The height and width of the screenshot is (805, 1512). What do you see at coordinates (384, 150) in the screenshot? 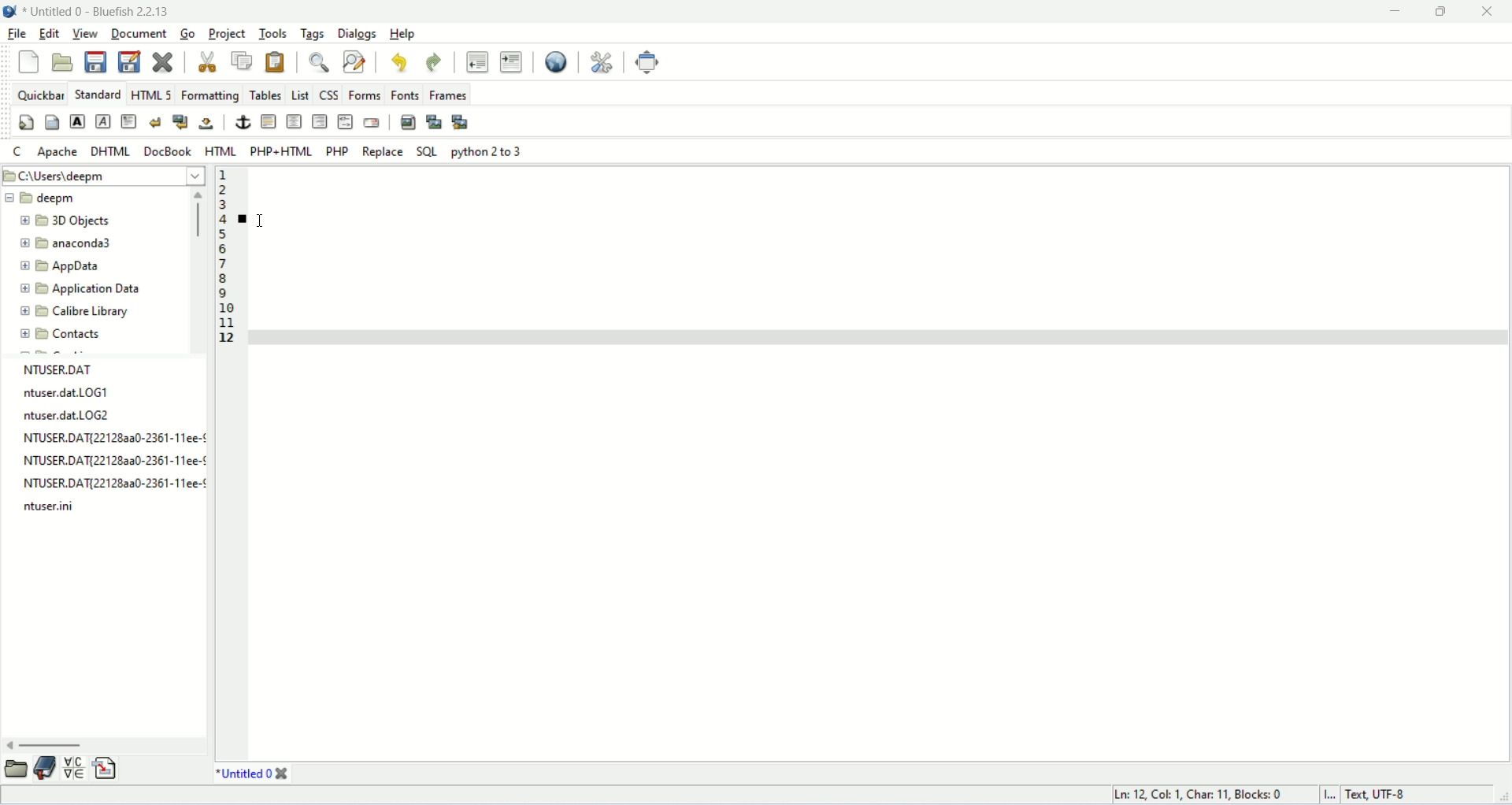
I see `REPLACE` at bounding box center [384, 150].